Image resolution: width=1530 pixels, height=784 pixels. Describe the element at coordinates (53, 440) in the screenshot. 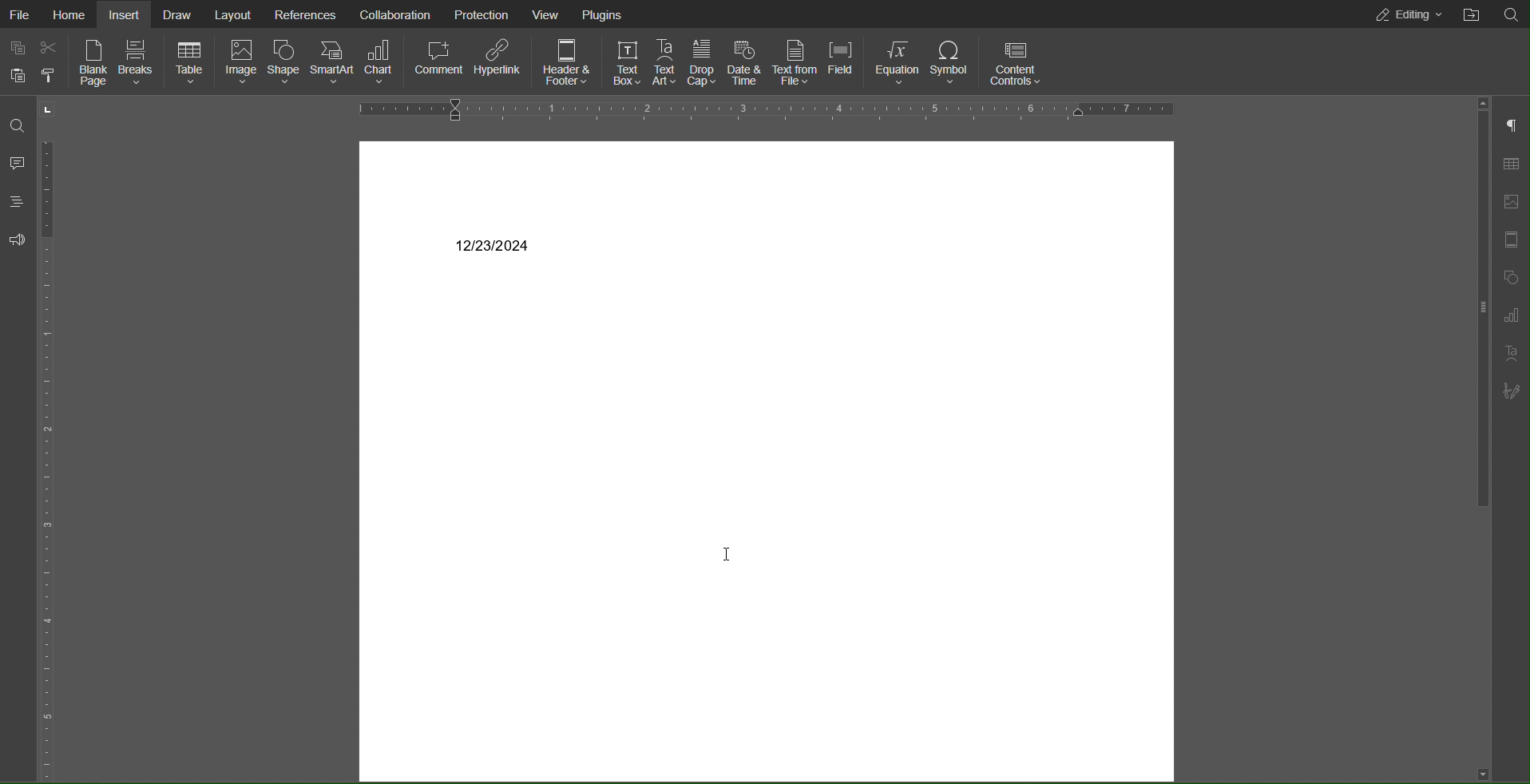

I see `Vertical Ruler` at that location.